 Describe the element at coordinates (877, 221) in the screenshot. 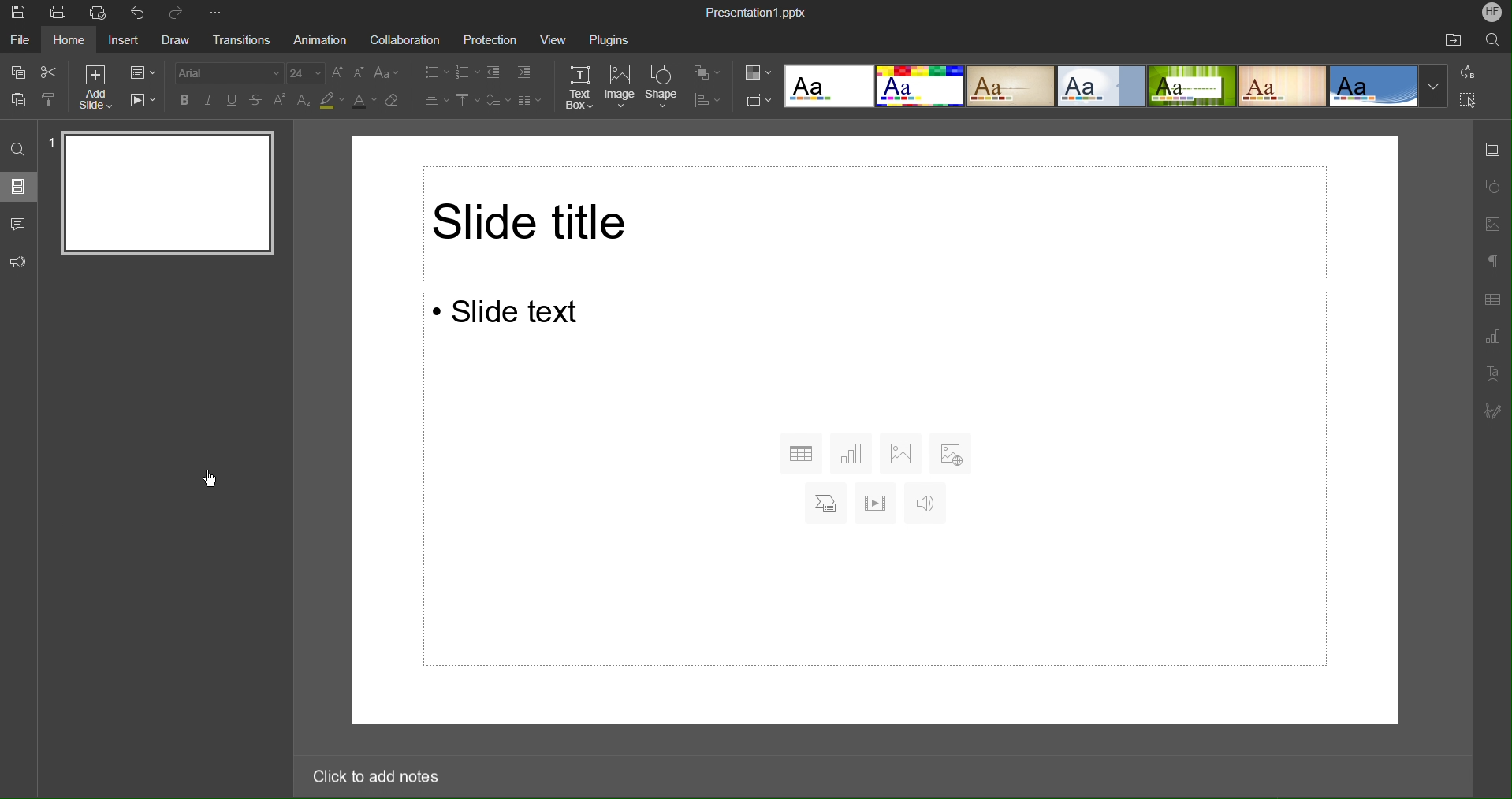

I see `slide title` at that location.